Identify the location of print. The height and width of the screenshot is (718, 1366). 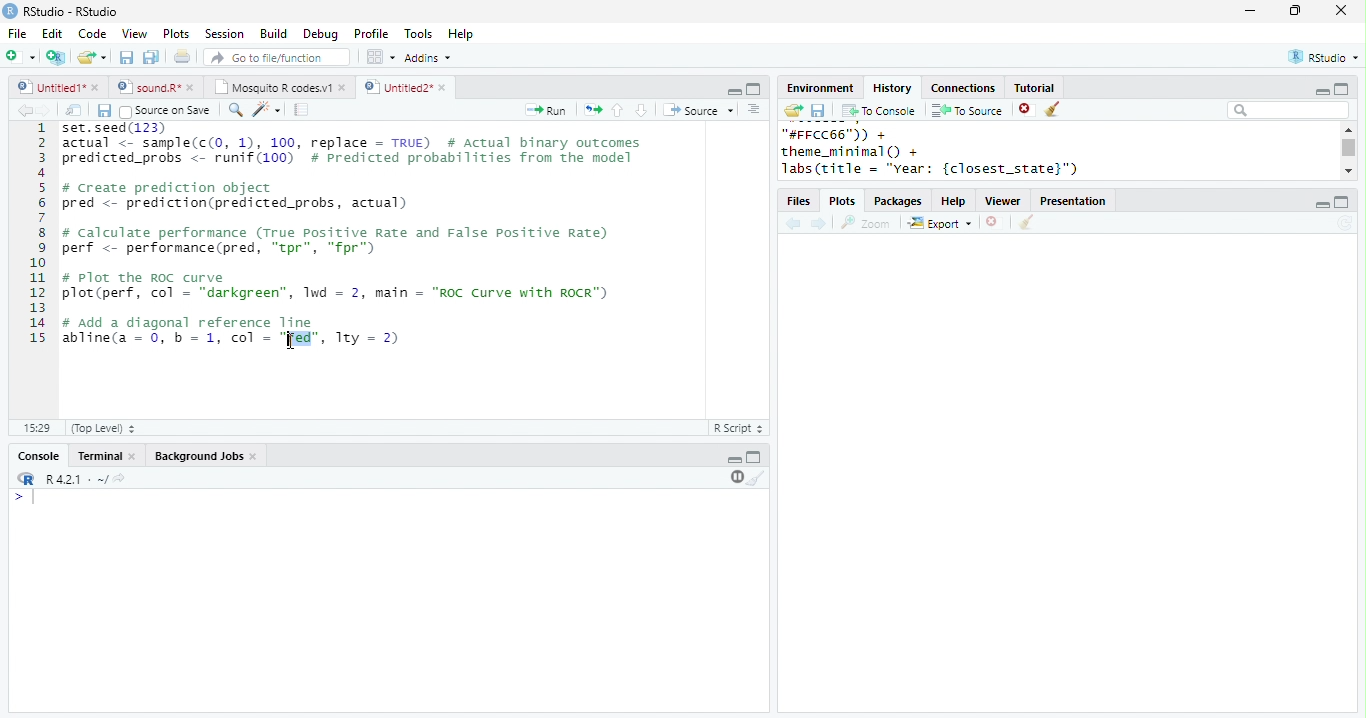
(183, 56).